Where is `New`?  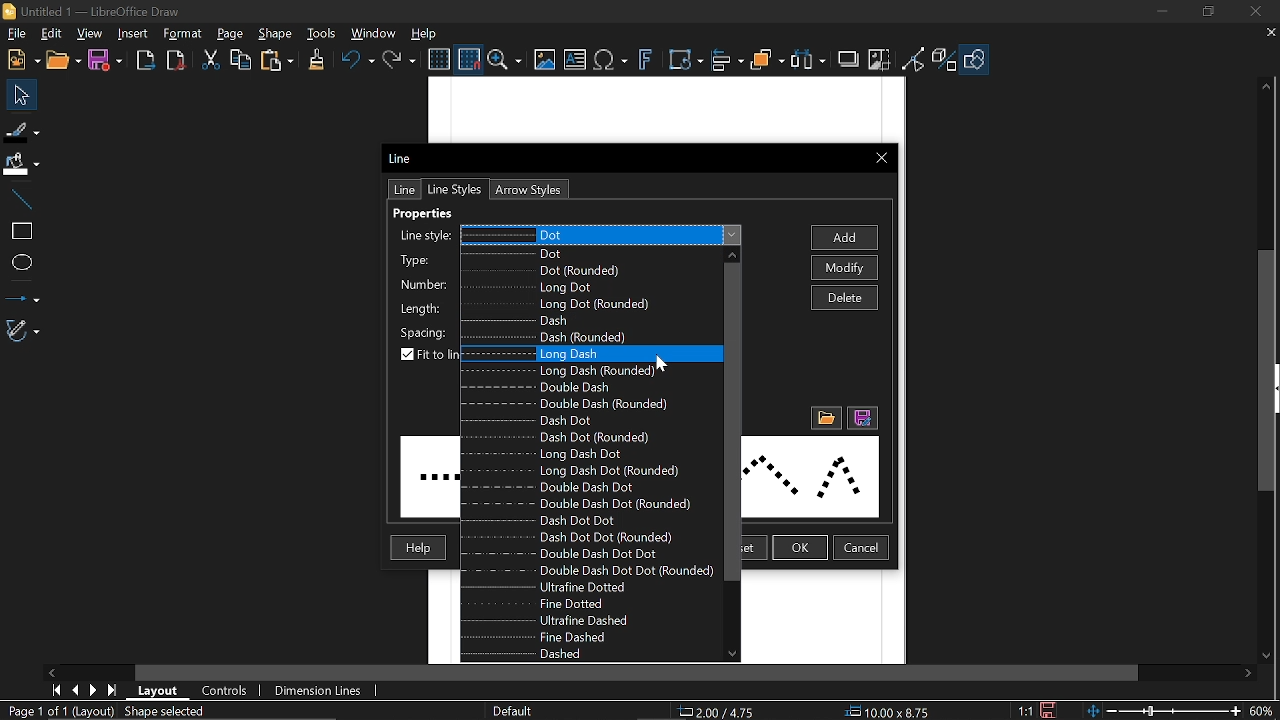 New is located at coordinates (21, 61).